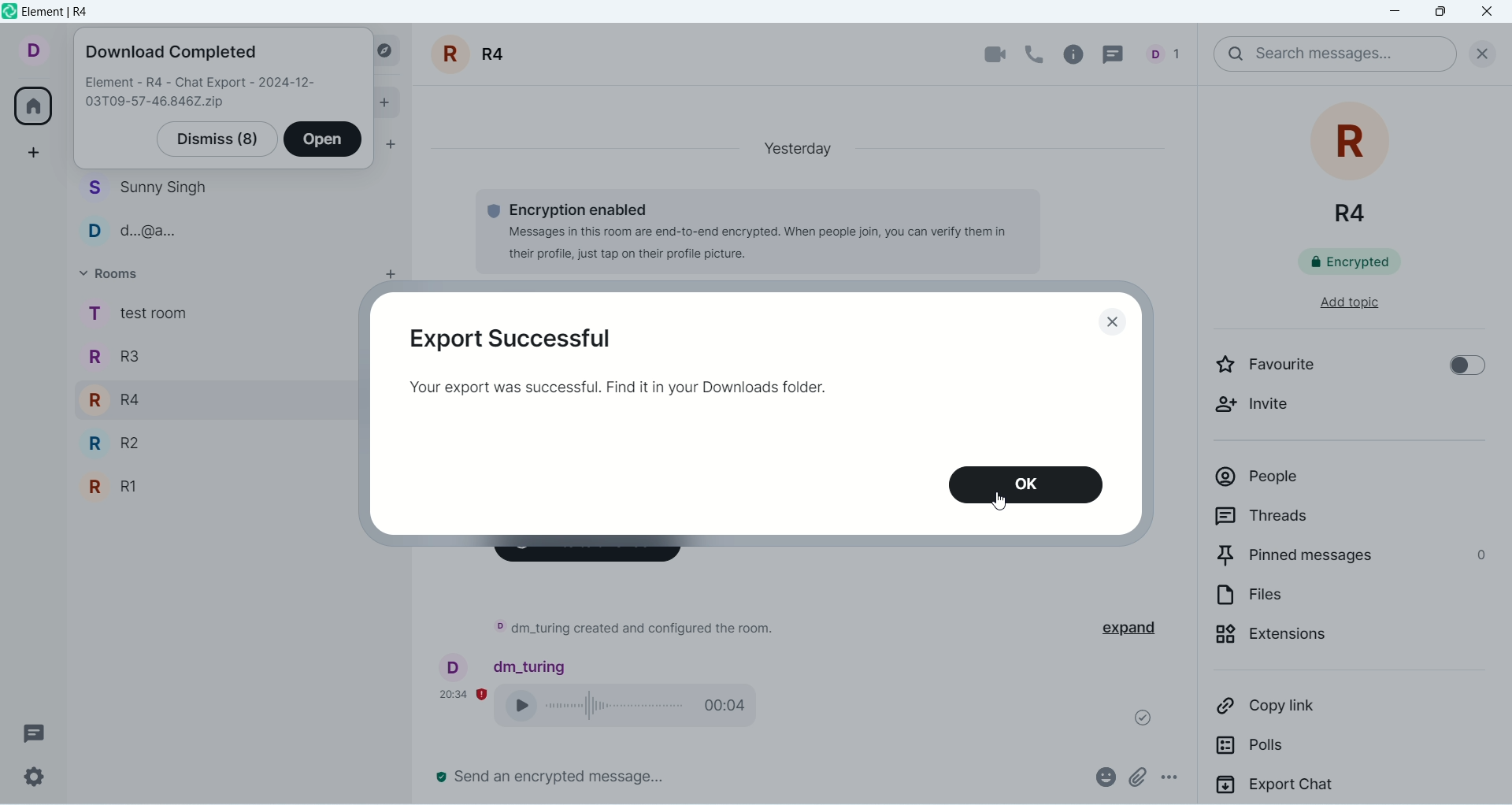  I want to click on toggle button, so click(1459, 368).